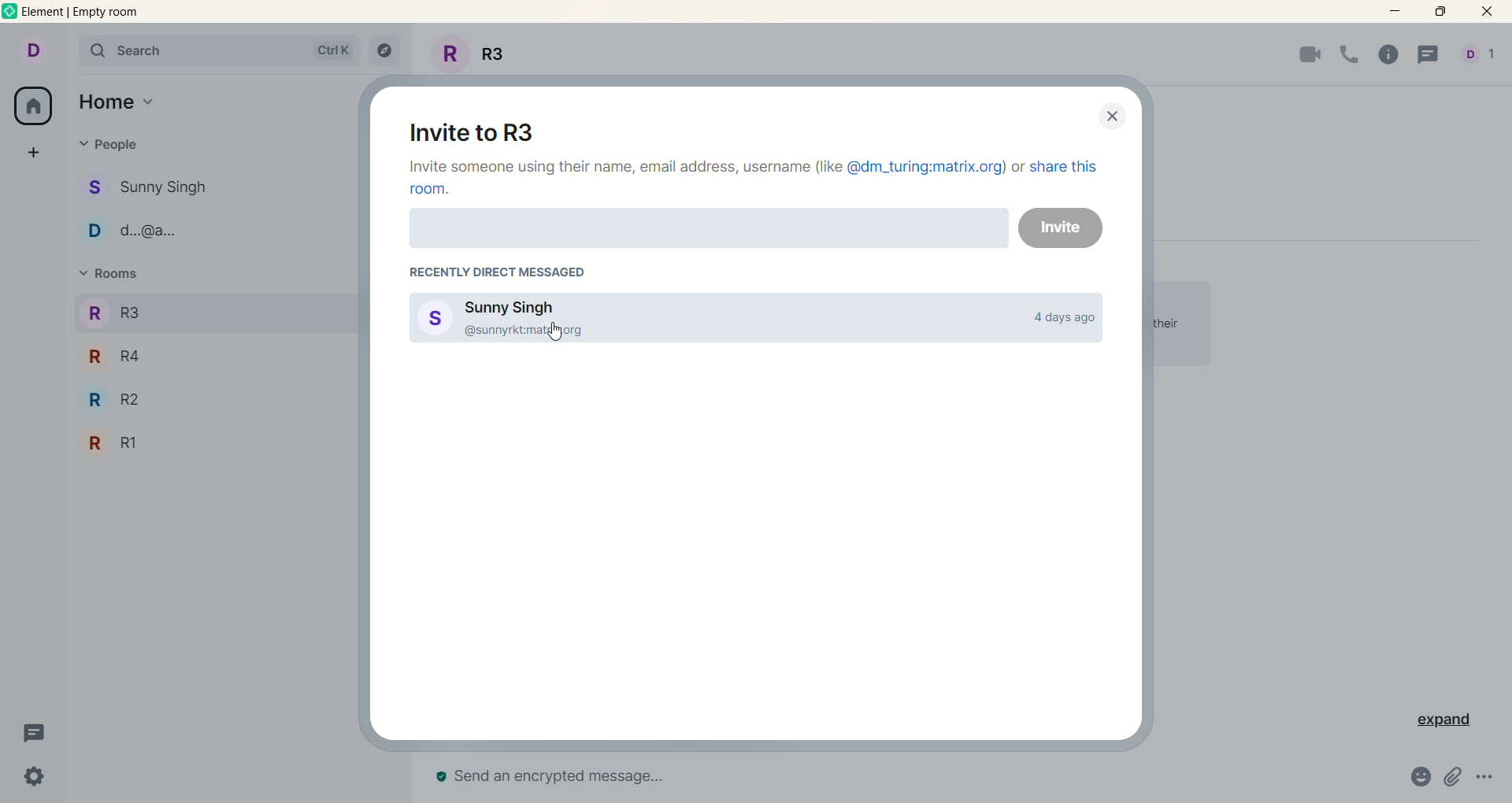 This screenshot has width=1512, height=803. What do you see at coordinates (1484, 12) in the screenshot?
I see `close` at bounding box center [1484, 12].